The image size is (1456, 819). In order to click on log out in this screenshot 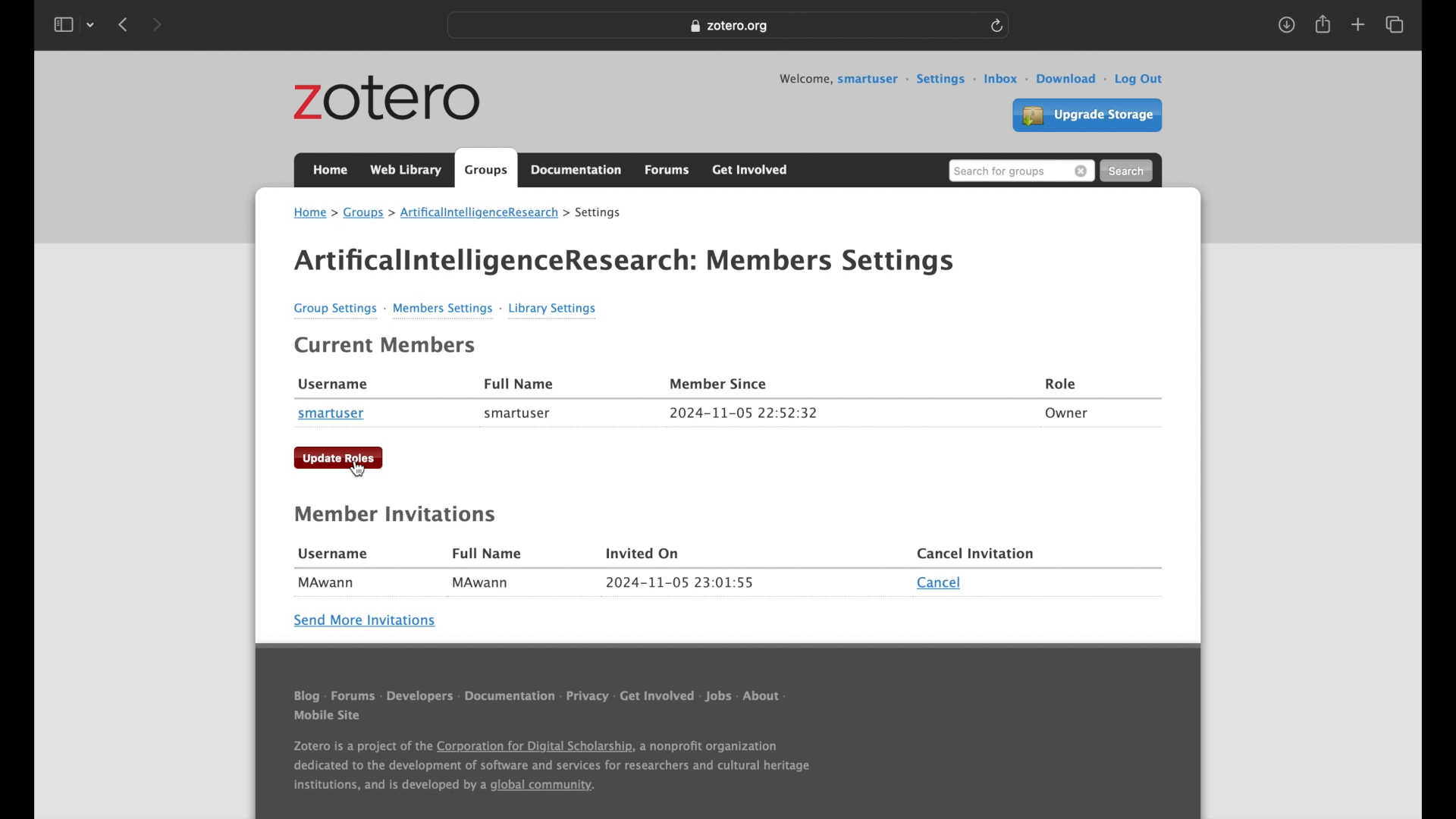, I will do `click(1141, 80)`.